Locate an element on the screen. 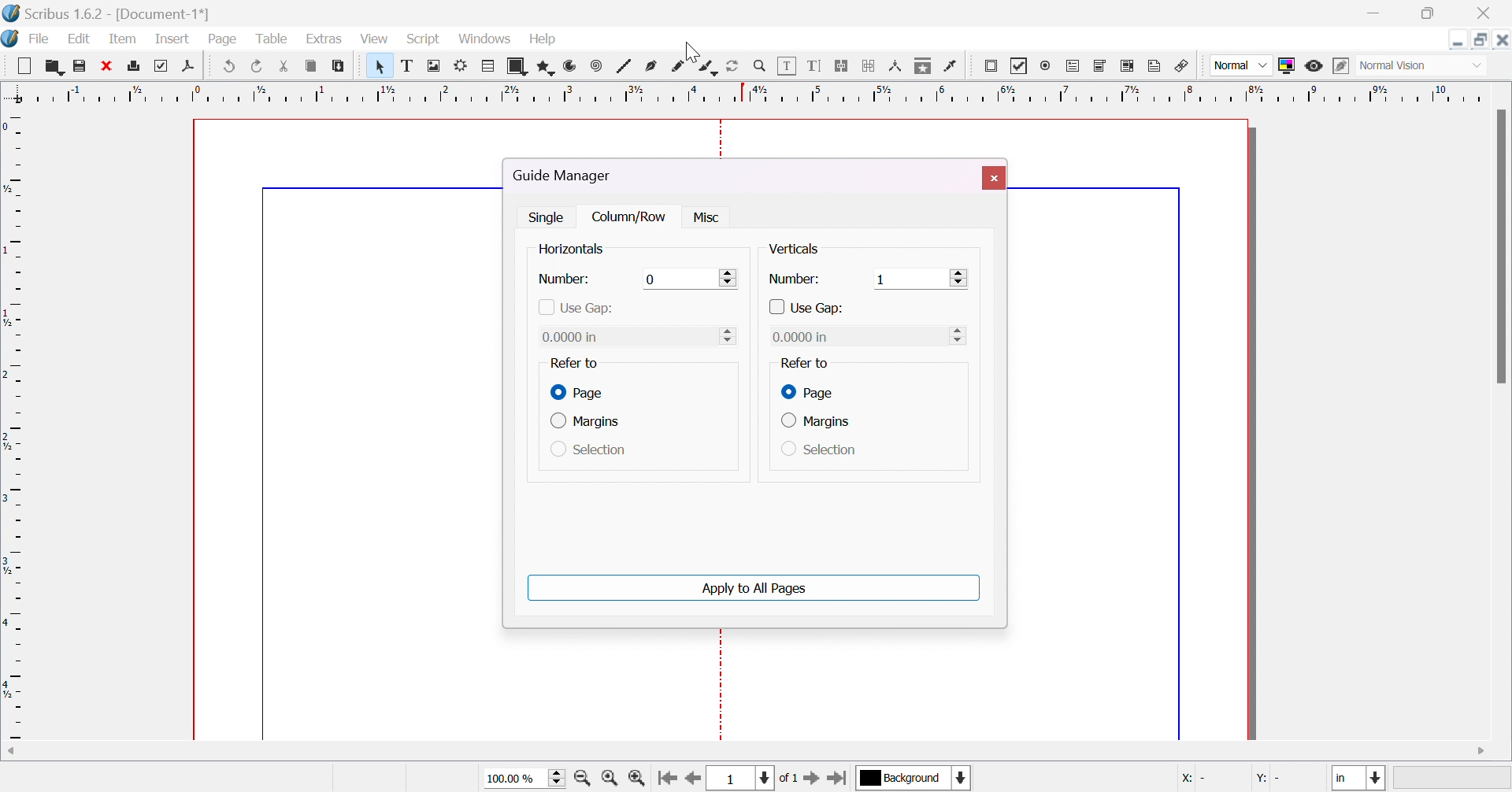 This screenshot has height=792, width=1512. use gap is located at coordinates (808, 309).